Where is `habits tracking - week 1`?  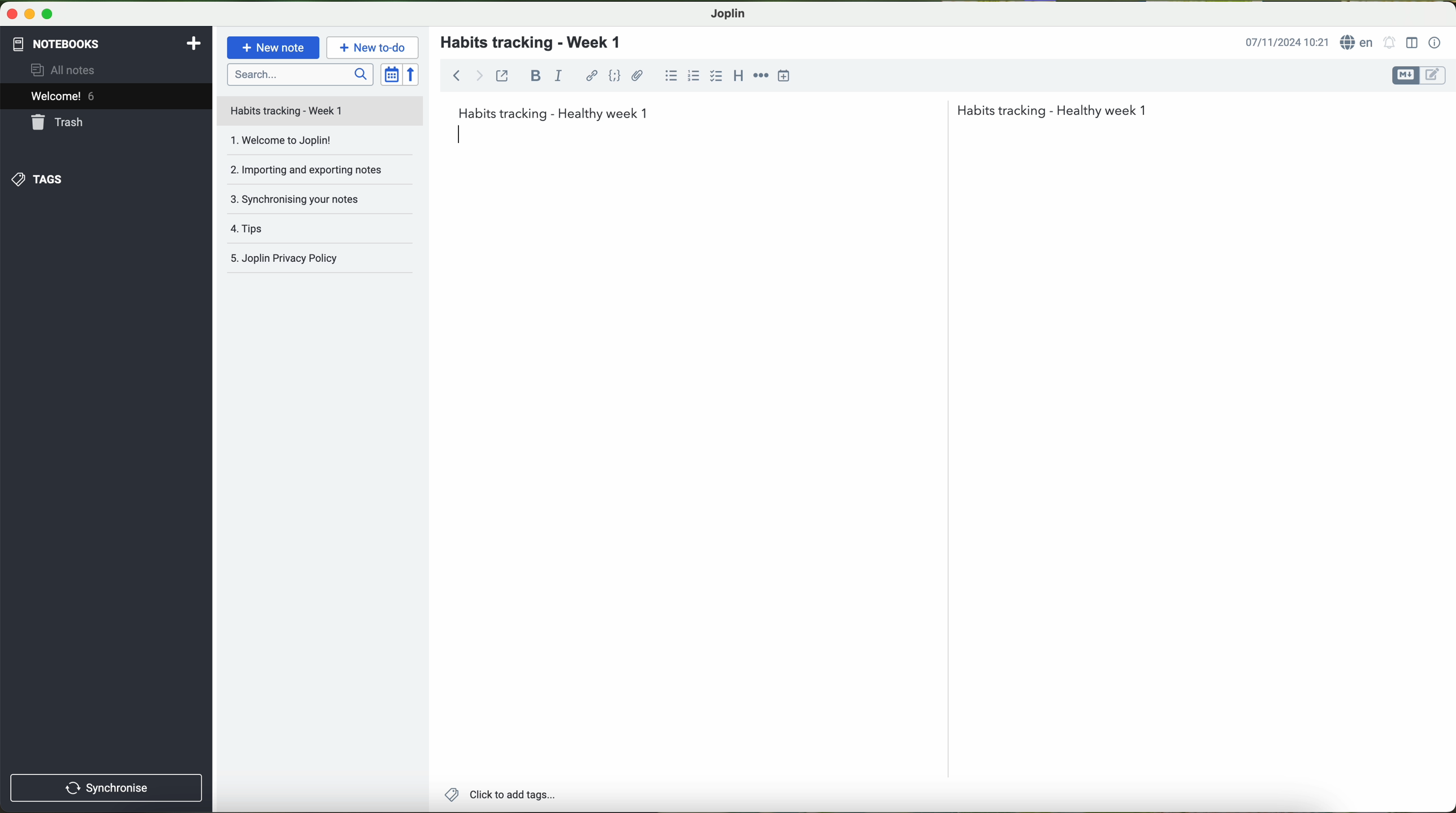
habits tracking - week 1 is located at coordinates (538, 43).